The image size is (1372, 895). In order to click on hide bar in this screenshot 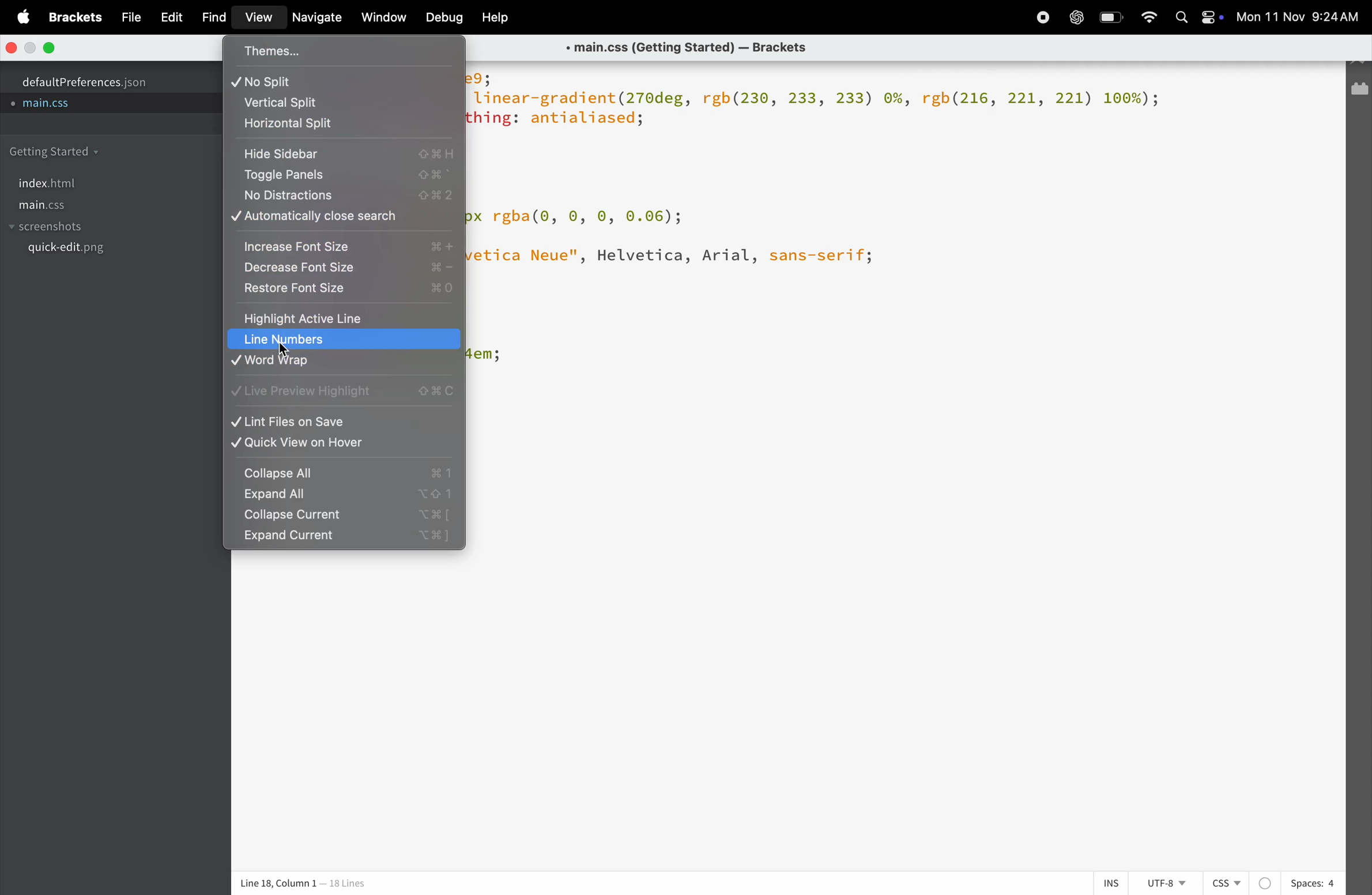, I will do `click(342, 154)`.